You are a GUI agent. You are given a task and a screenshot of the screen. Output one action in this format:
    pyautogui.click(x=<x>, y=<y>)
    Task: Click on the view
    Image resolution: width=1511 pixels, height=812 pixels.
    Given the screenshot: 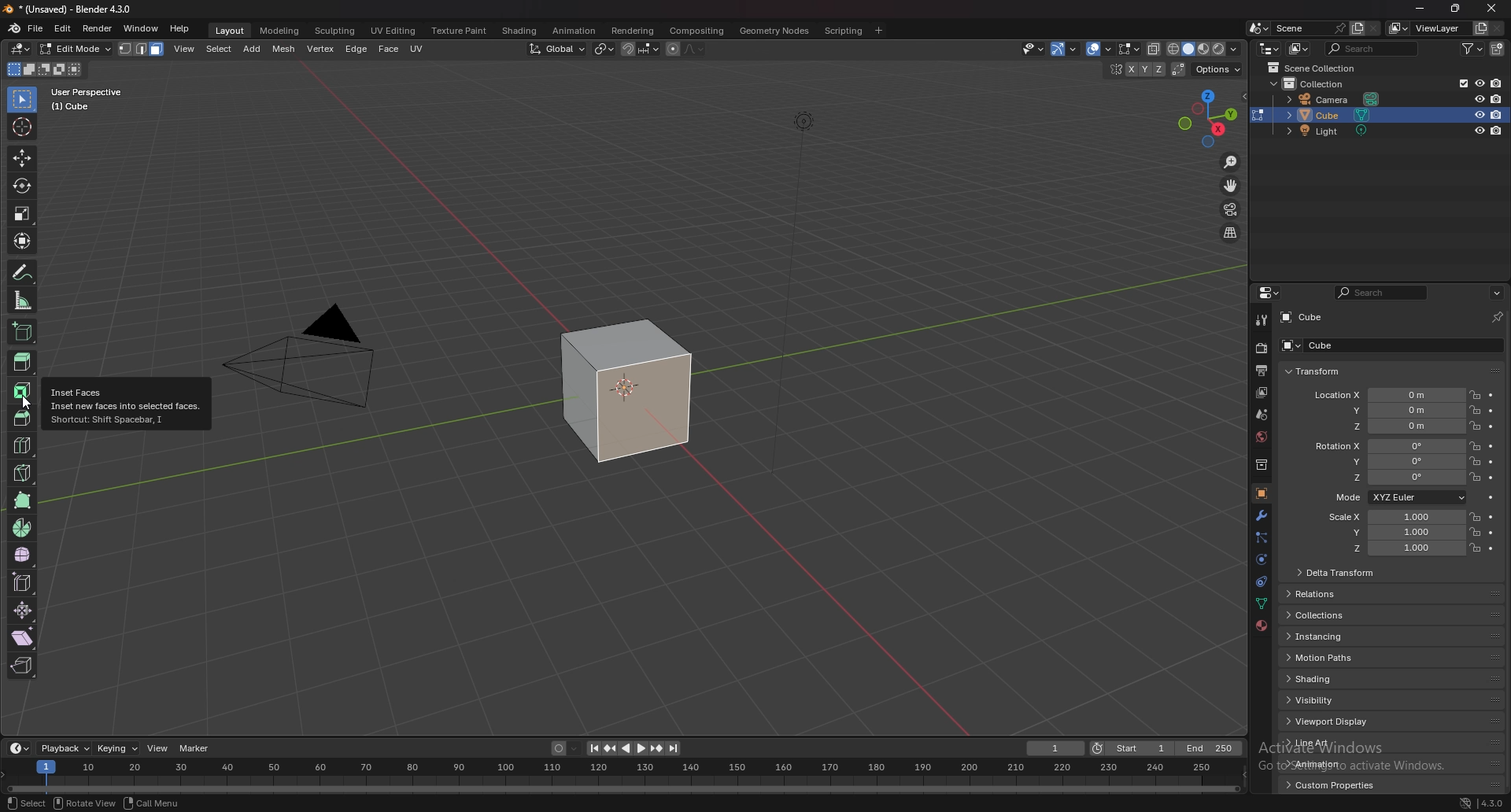 What is the action you would take?
    pyautogui.click(x=185, y=49)
    